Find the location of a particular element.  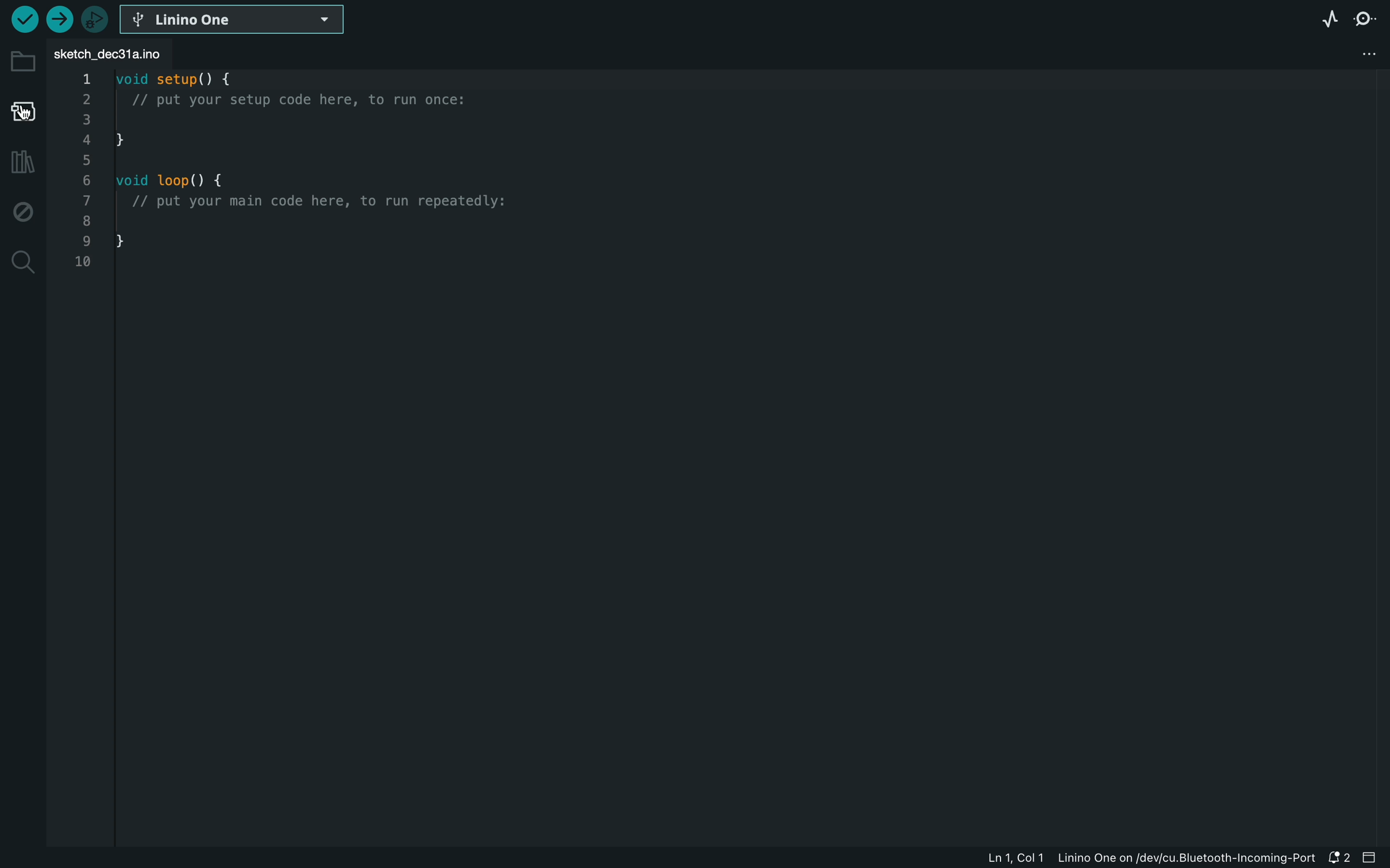

linino one is located at coordinates (246, 18).